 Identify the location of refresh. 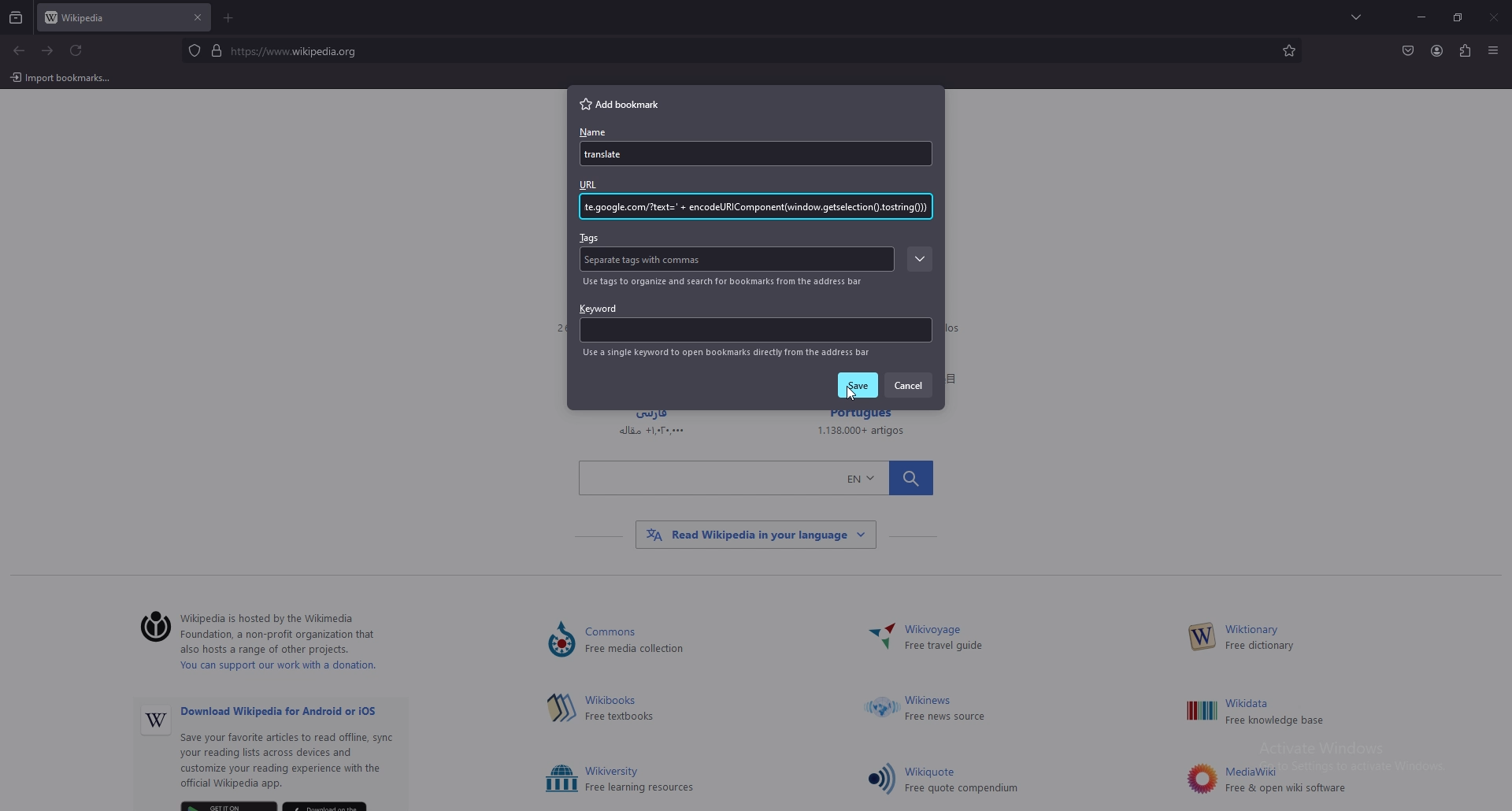
(76, 51).